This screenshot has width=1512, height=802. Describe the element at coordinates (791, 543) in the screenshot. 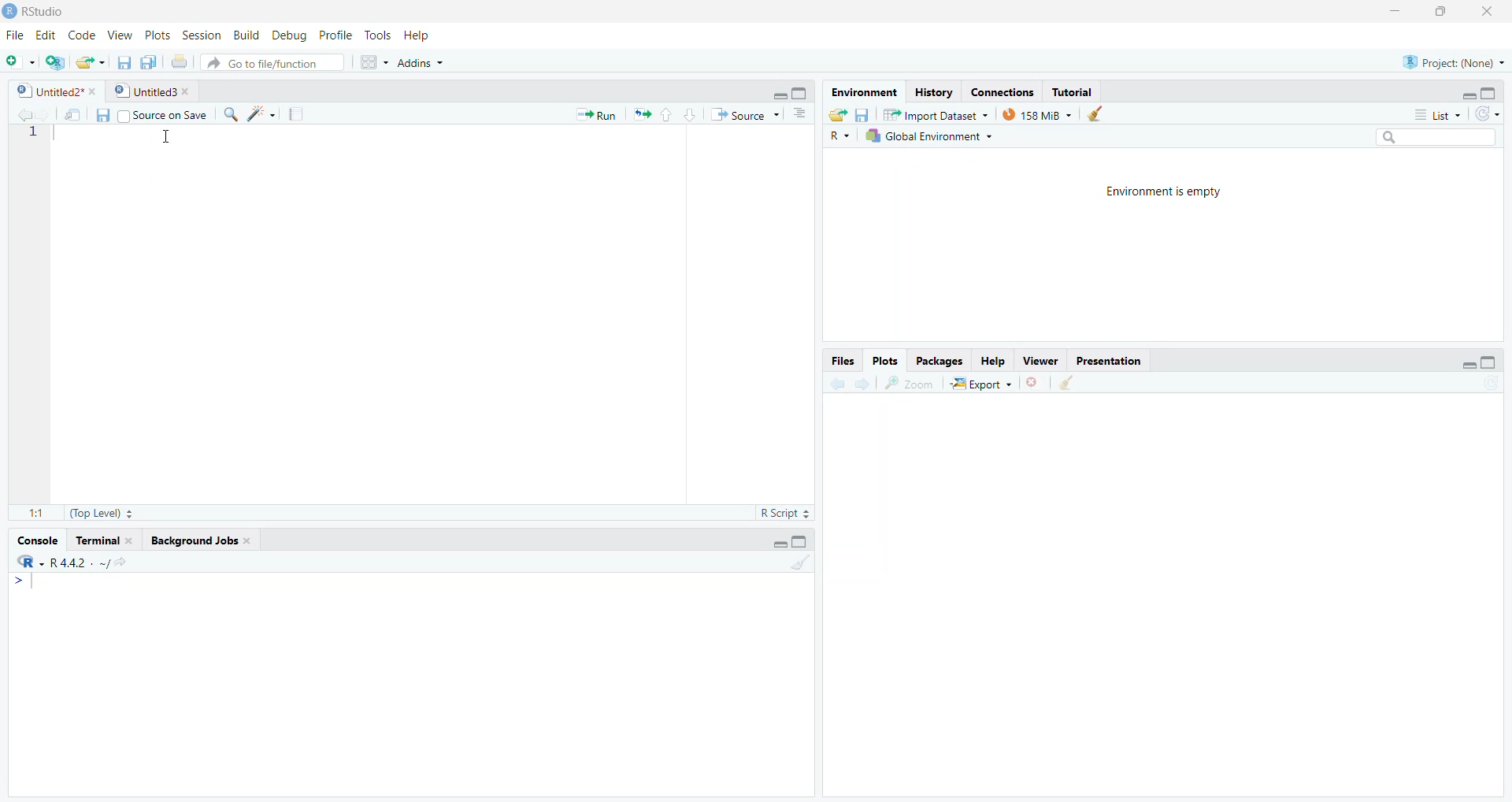

I see `mINIMIZE MAXIMIZE BUTTON` at that location.